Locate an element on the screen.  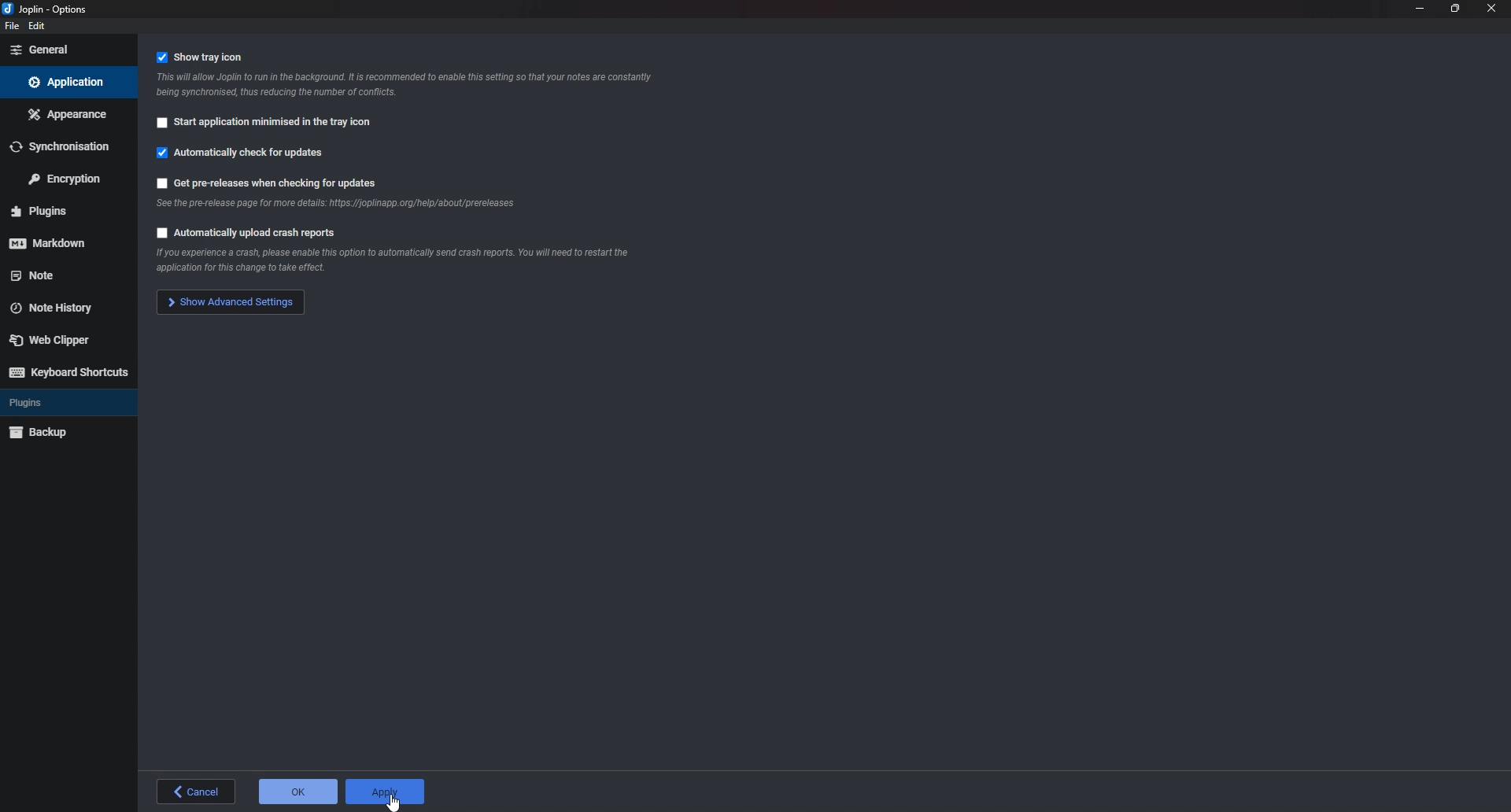
start application minimized in the tray icon is located at coordinates (268, 125).